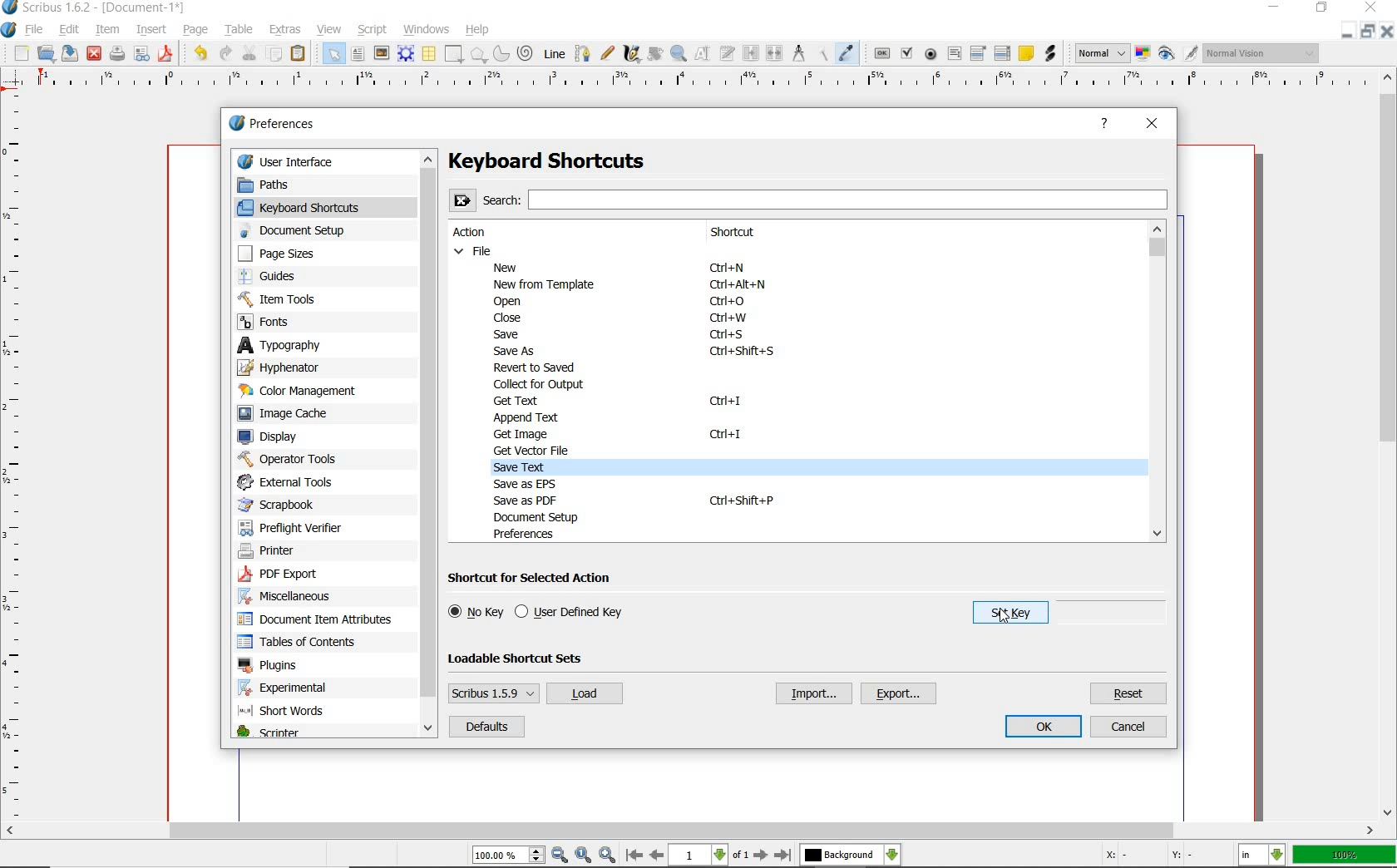 The width and height of the screenshot is (1397, 868). I want to click on scrapbook, so click(284, 505).